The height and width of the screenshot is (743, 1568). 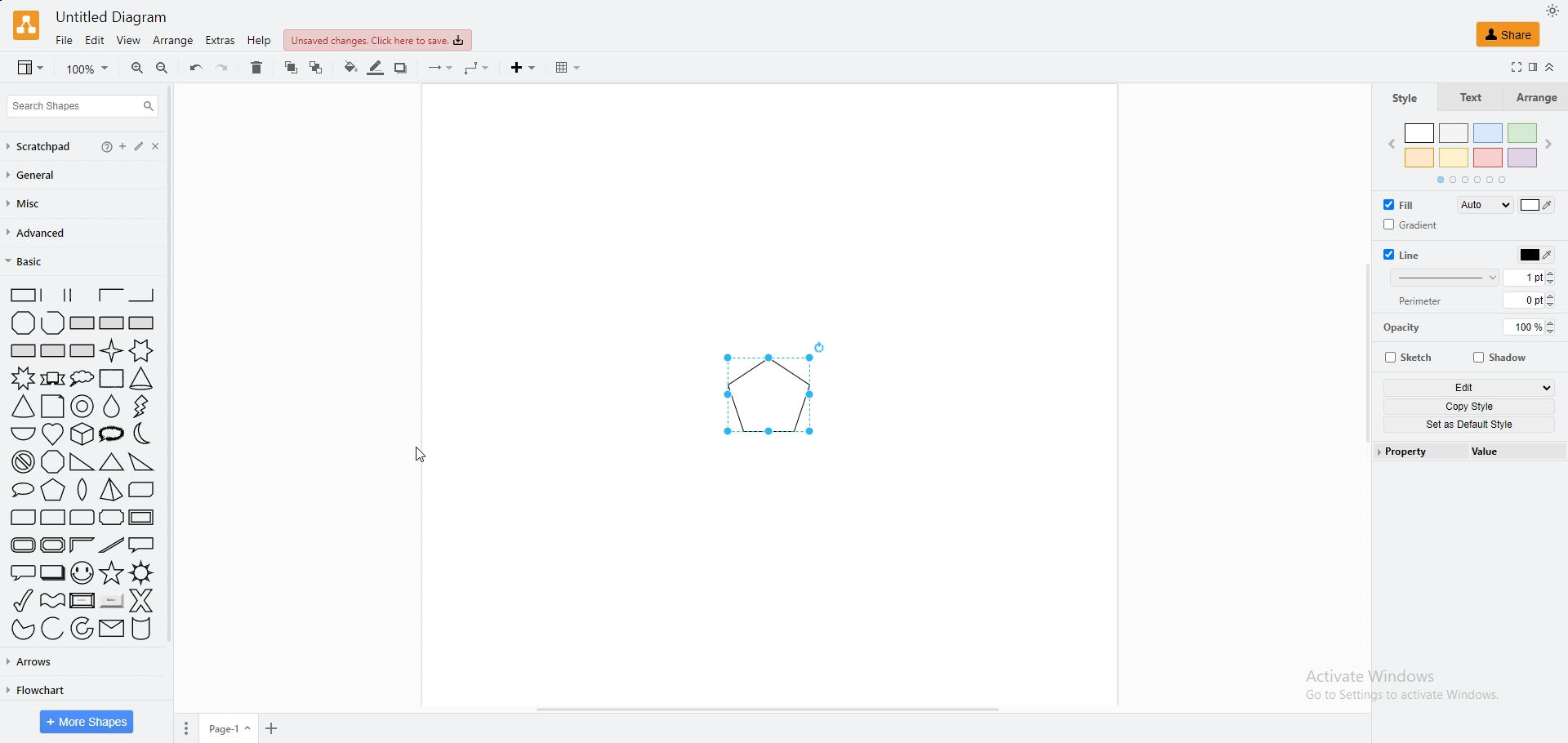 I want to click on edit, so click(x=149, y=146).